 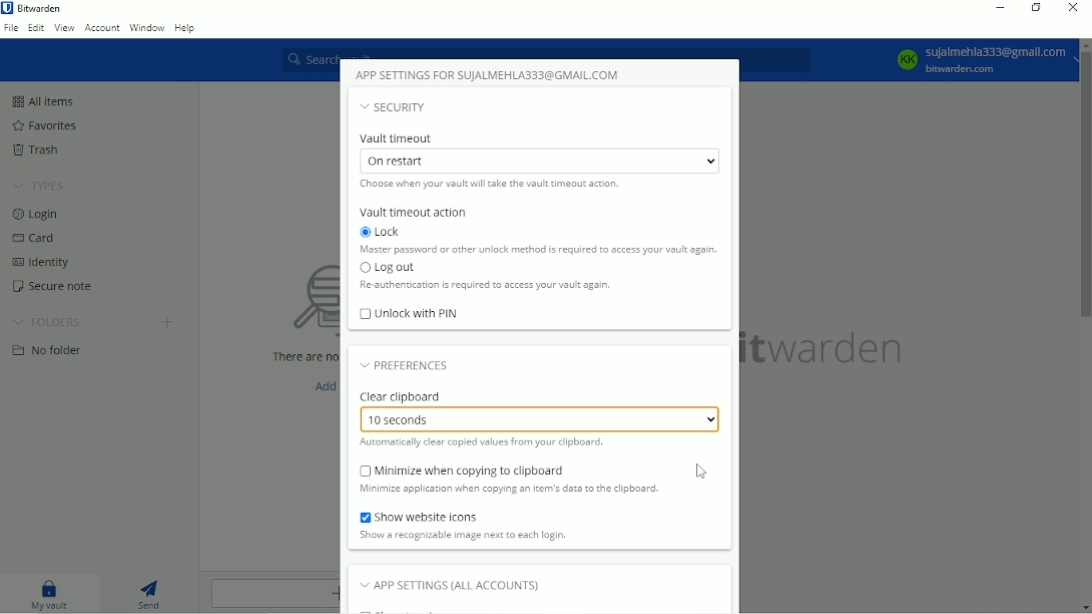 What do you see at coordinates (395, 110) in the screenshot?
I see `Security` at bounding box center [395, 110].